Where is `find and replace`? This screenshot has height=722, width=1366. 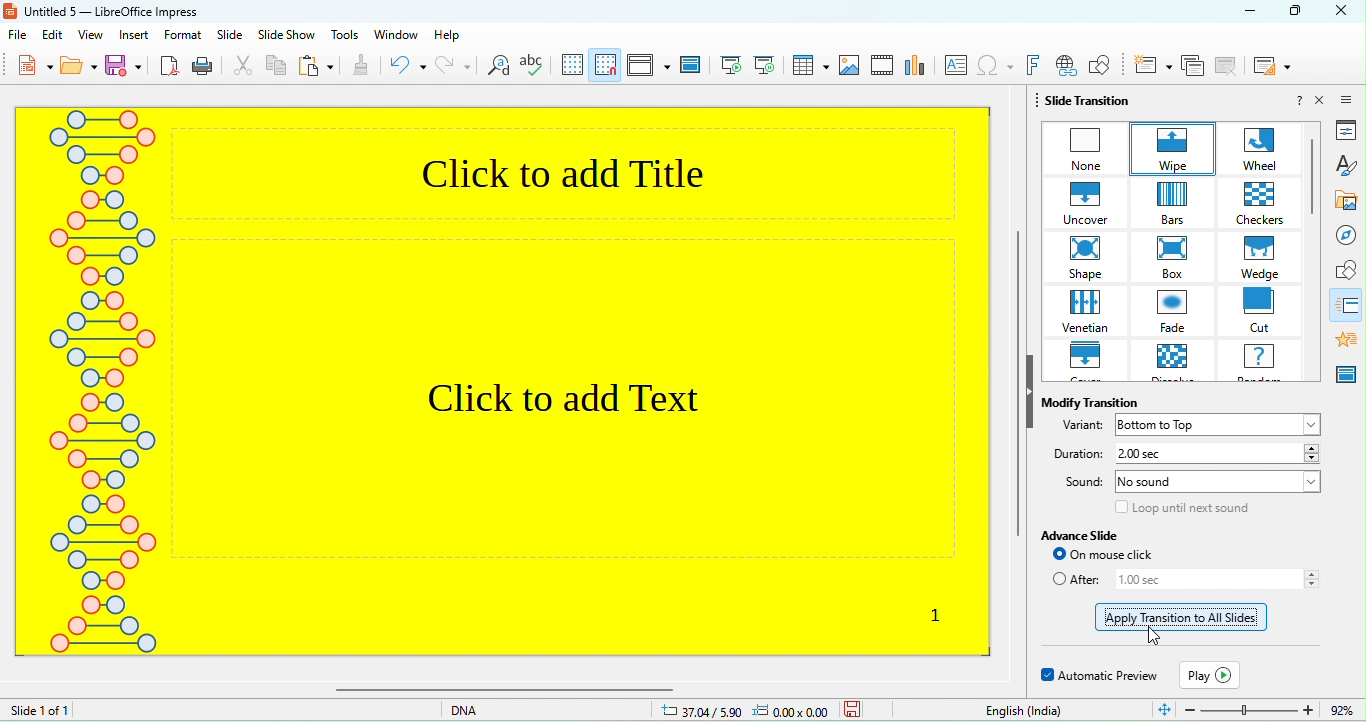
find and replace is located at coordinates (492, 70).